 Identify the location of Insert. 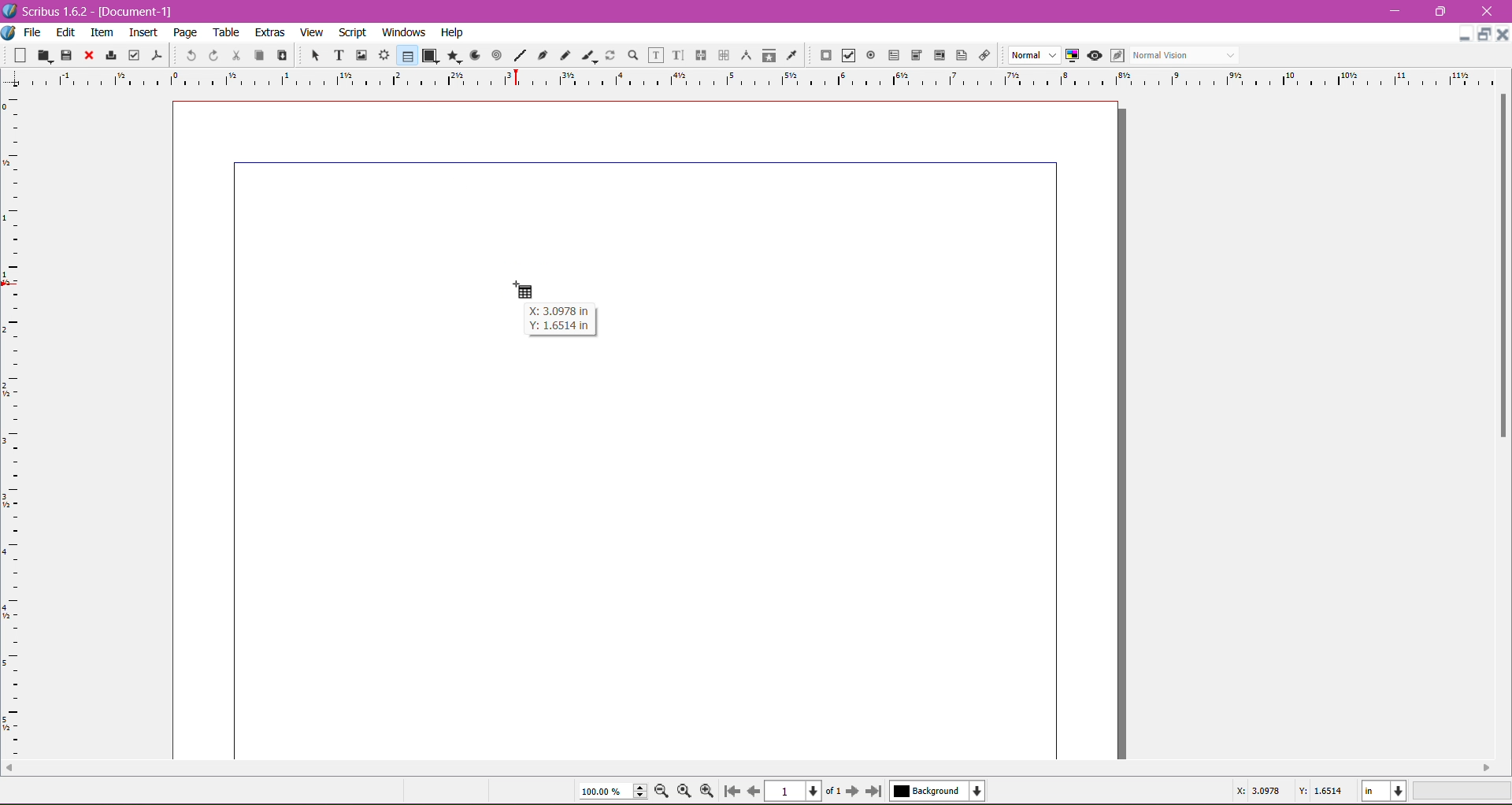
(143, 30).